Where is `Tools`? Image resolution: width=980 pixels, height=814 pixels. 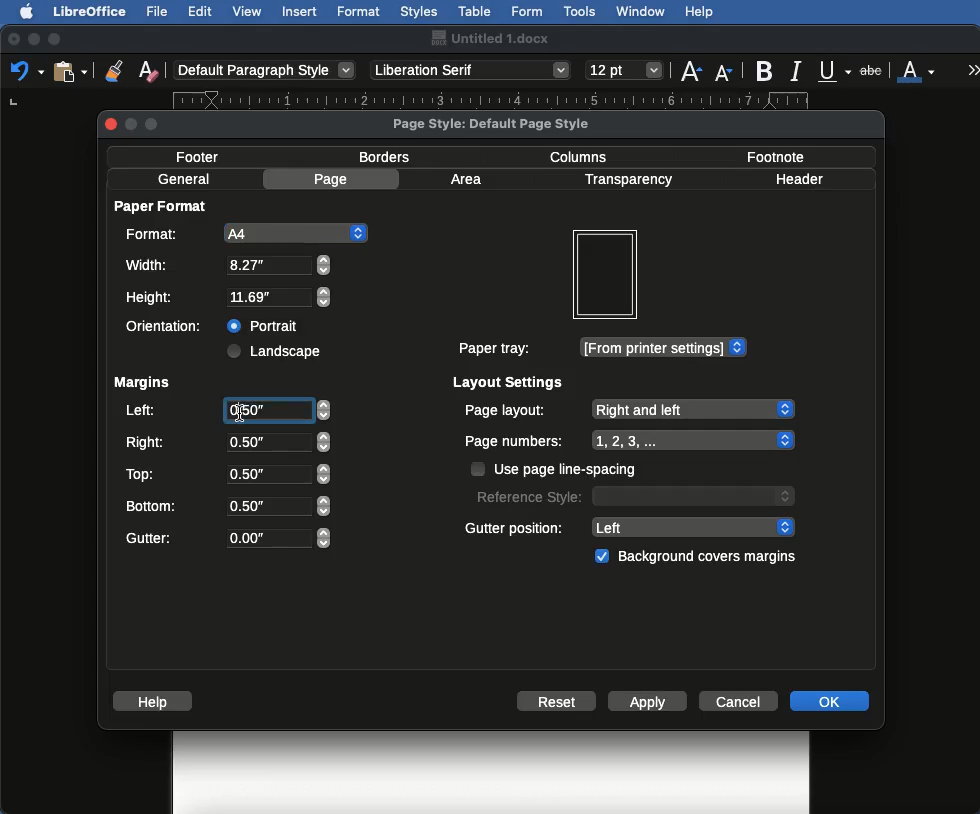
Tools is located at coordinates (581, 12).